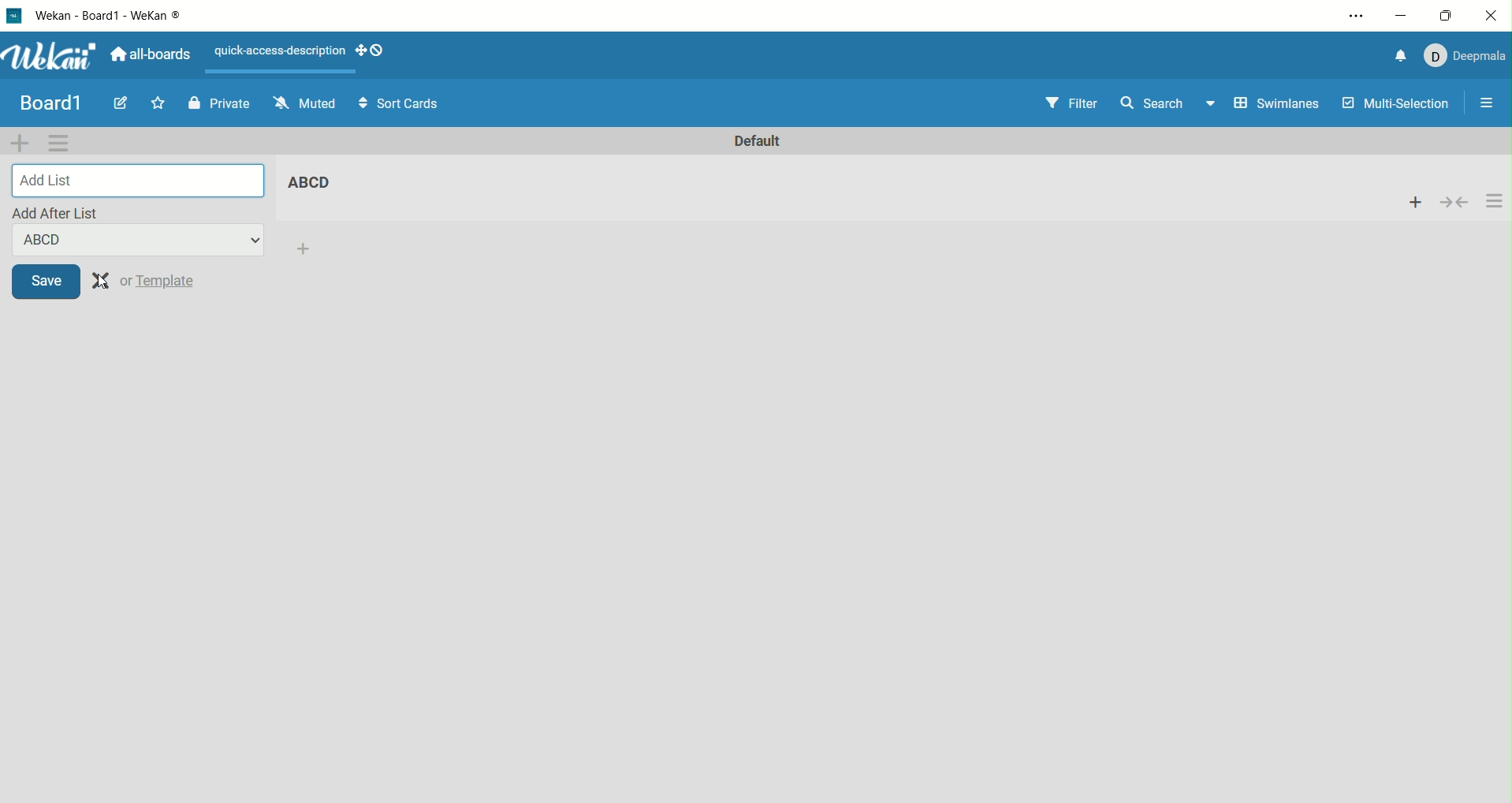 This screenshot has width=1512, height=803. I want to click on maximize, so click(1451, 13).